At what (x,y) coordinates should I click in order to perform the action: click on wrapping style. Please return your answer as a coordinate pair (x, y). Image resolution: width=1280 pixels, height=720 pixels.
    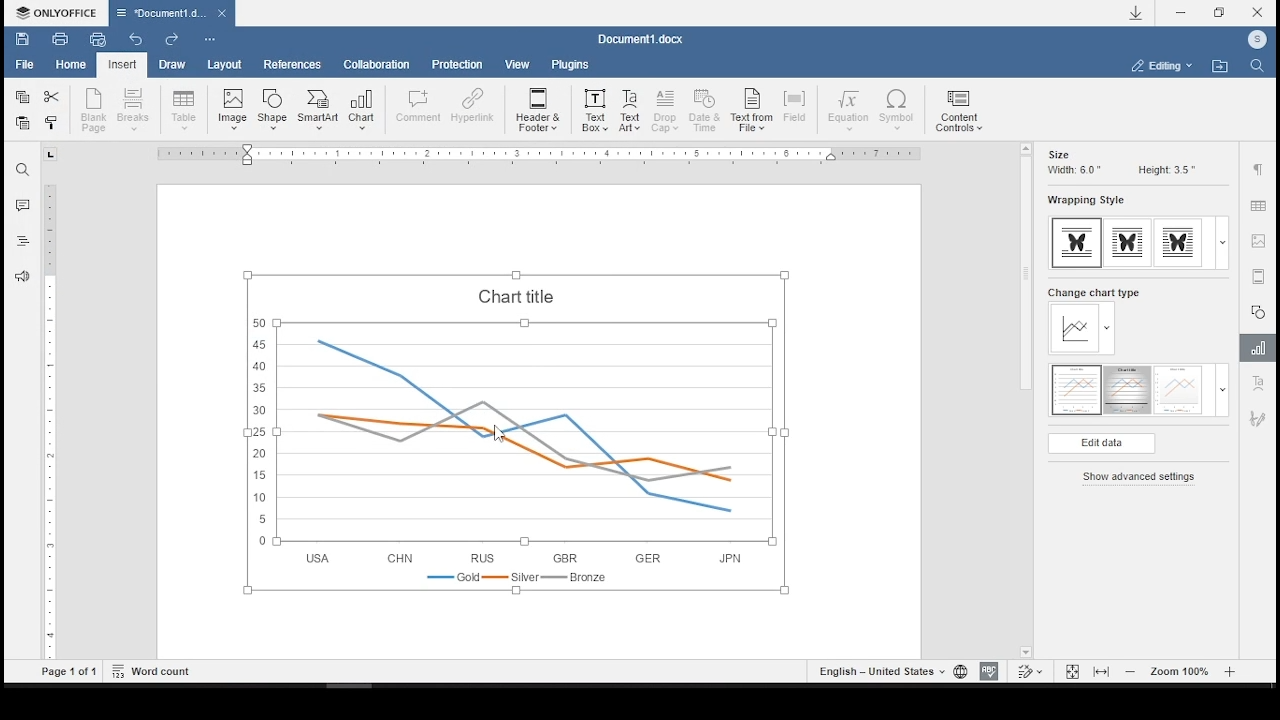
    Looking at the image, I should click on (1178, 243).